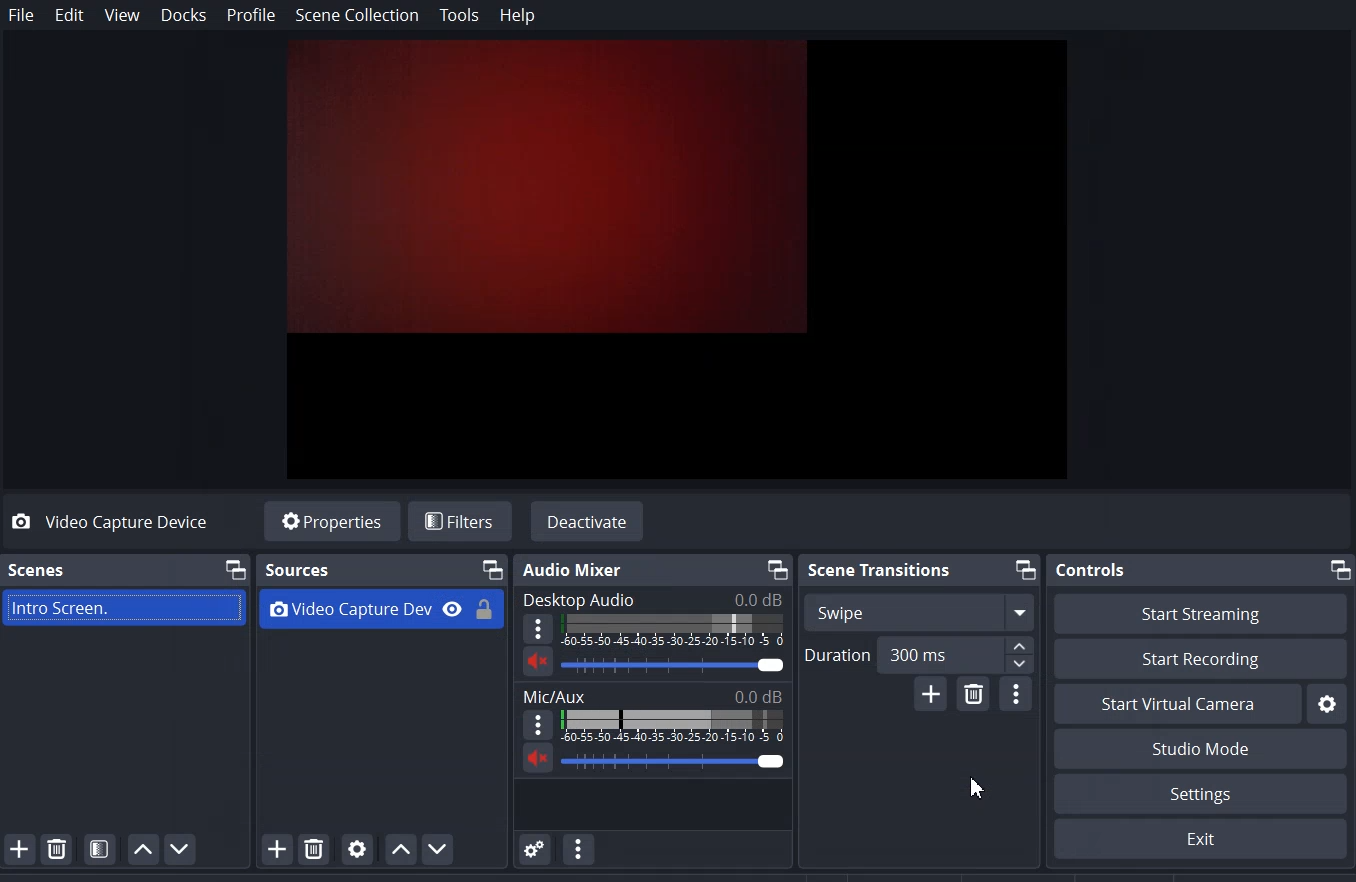  What do you see at coordinates (975, 695) in the screenshot?
I see `Remove Configurable transition` at bounding box center [975, 695].